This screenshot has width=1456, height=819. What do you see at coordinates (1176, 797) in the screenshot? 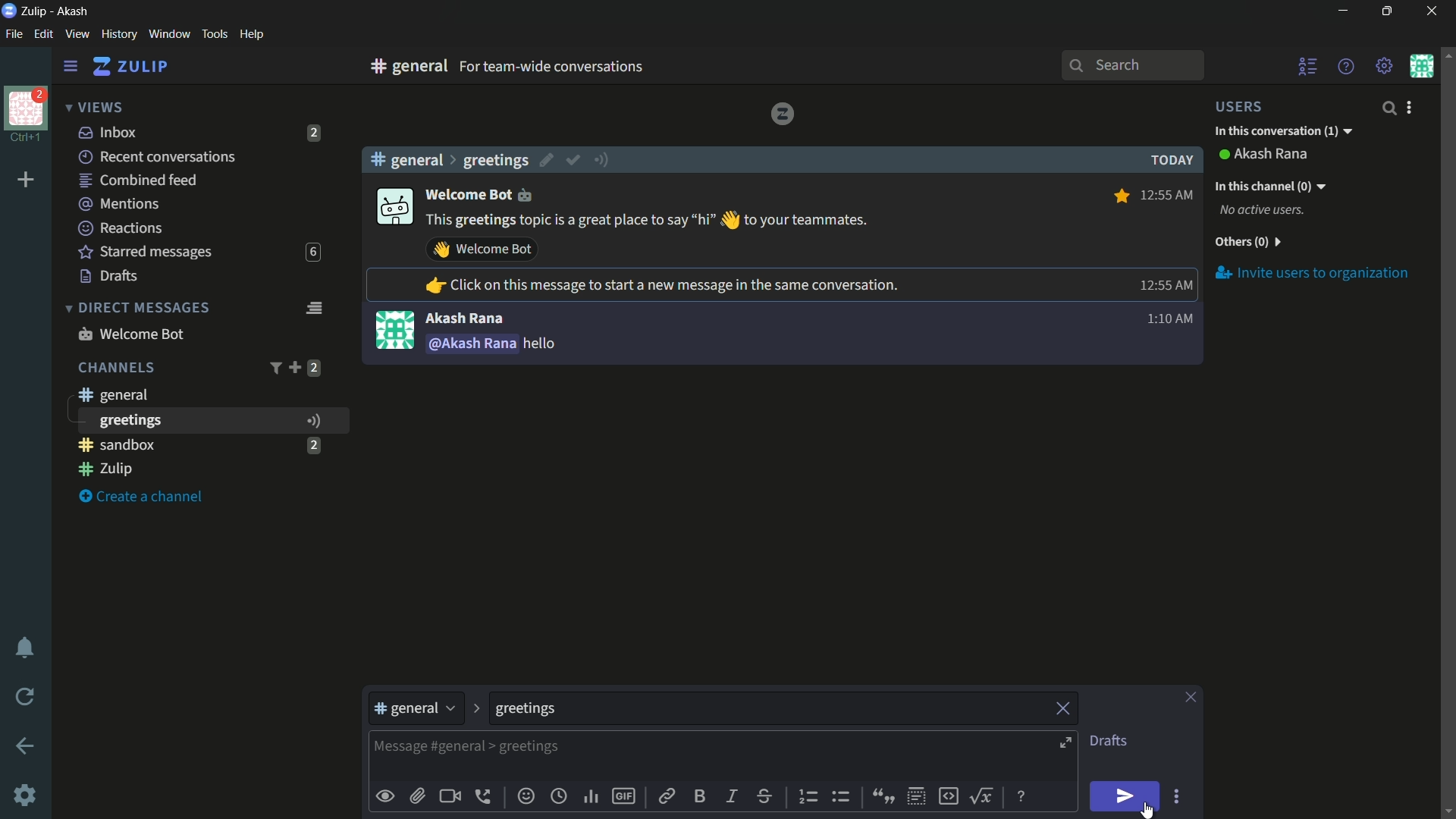
I see `send options` at bounding box center [1176, 797].